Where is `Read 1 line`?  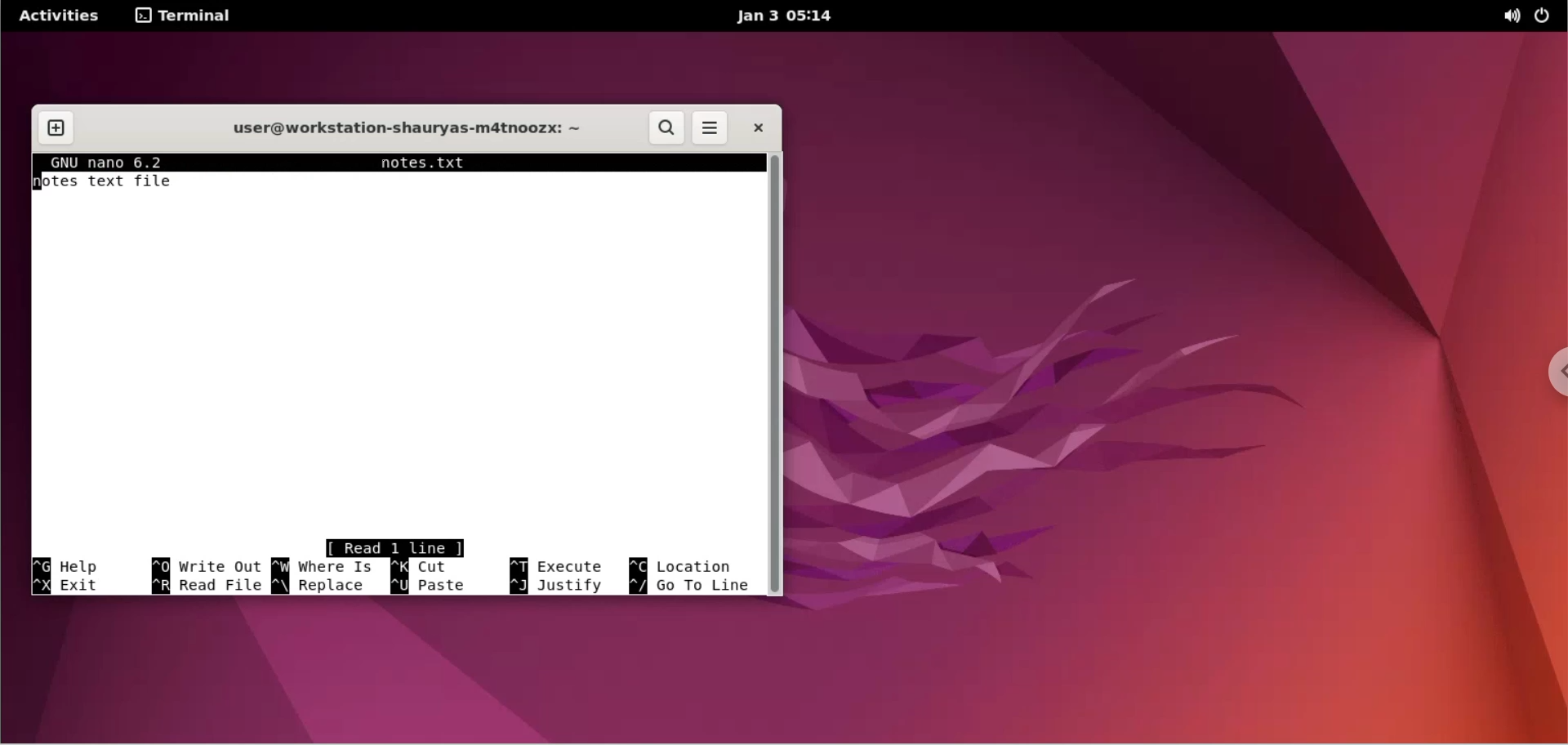
Read 1 line is located at coordinates (394, 547).